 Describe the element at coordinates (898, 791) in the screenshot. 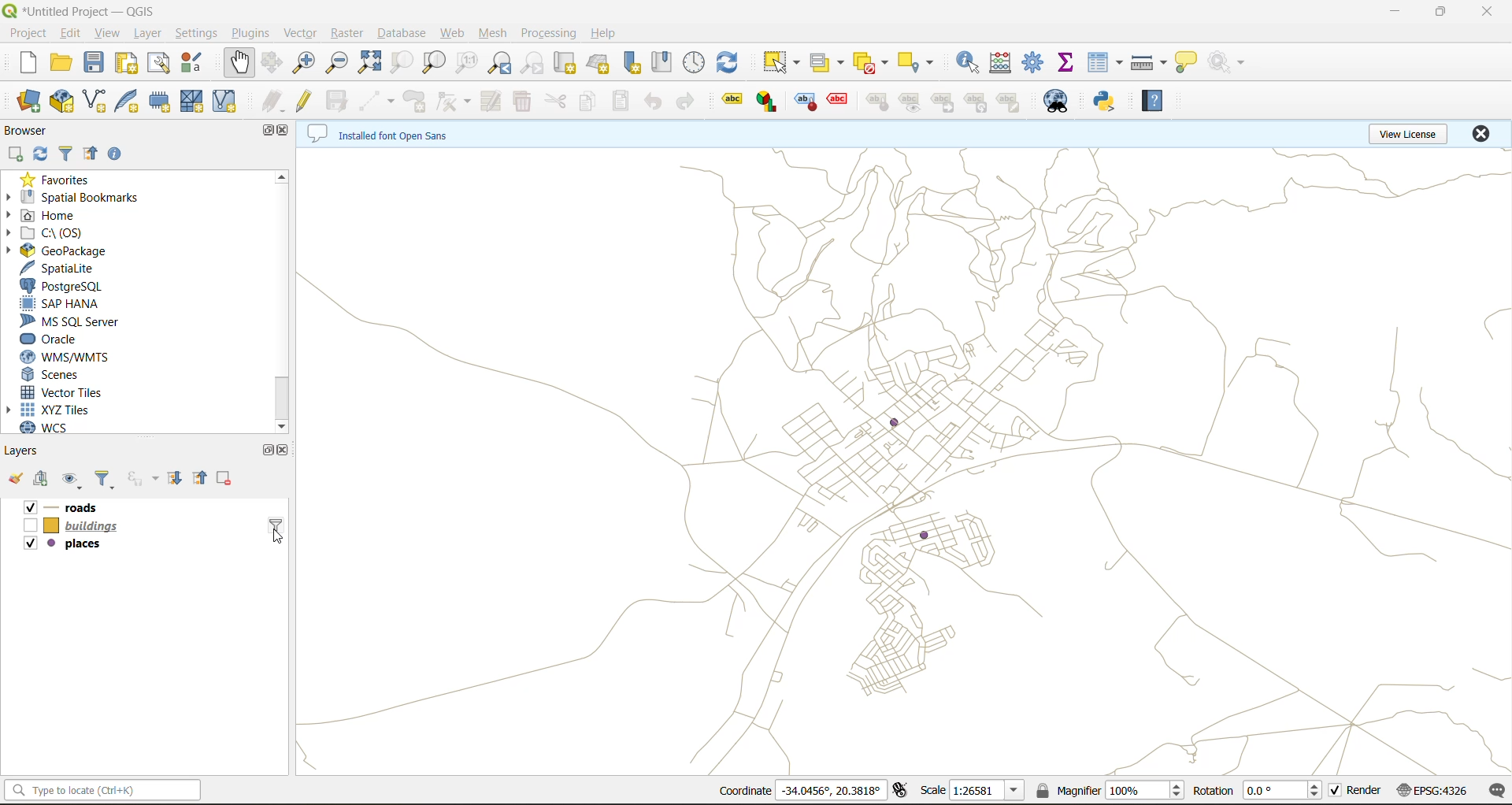

I see `toggle extensions` at that location.